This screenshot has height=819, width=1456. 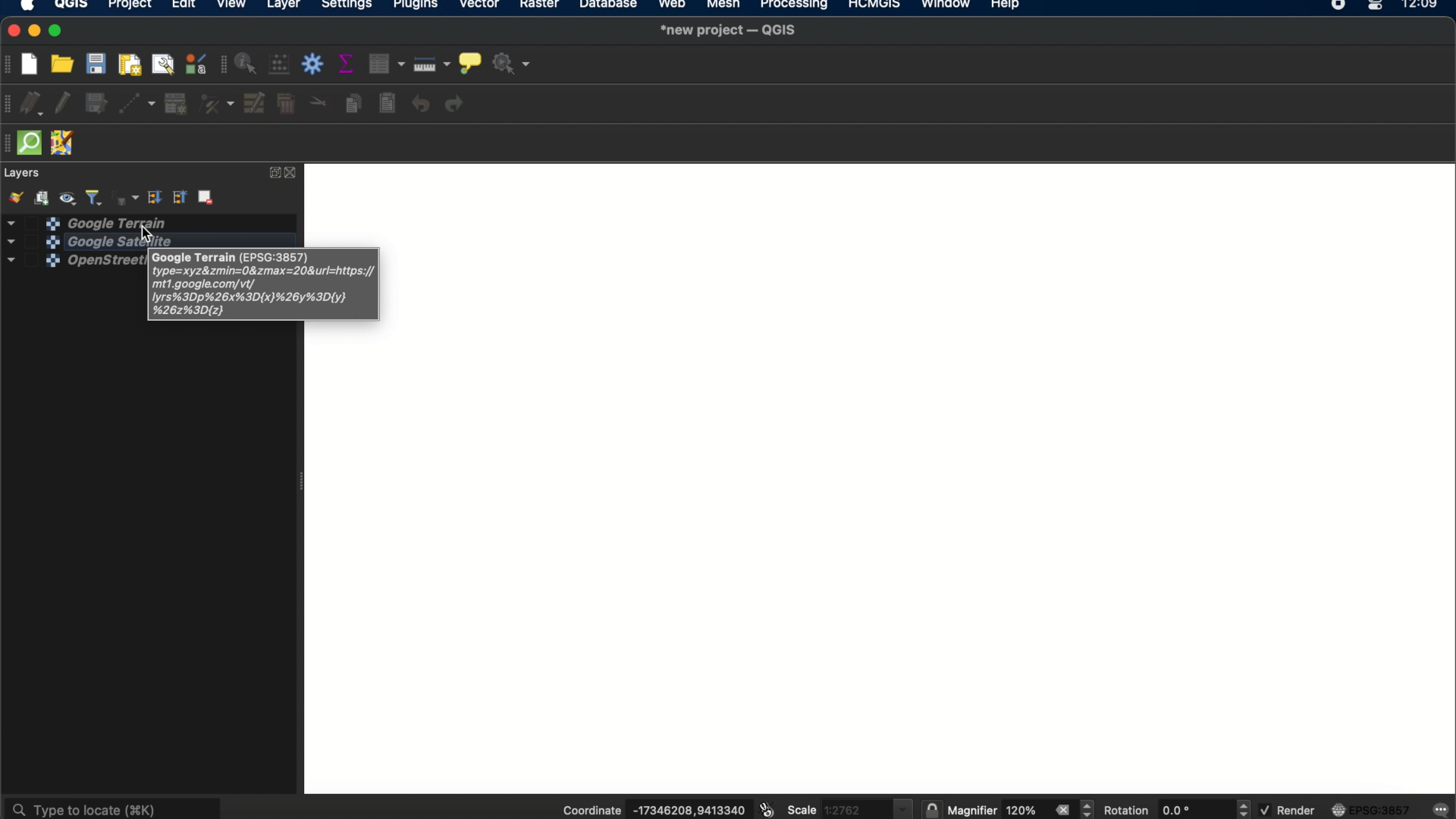 I want to click on toggle extents and mouse position display, so click(x=765, y=810).